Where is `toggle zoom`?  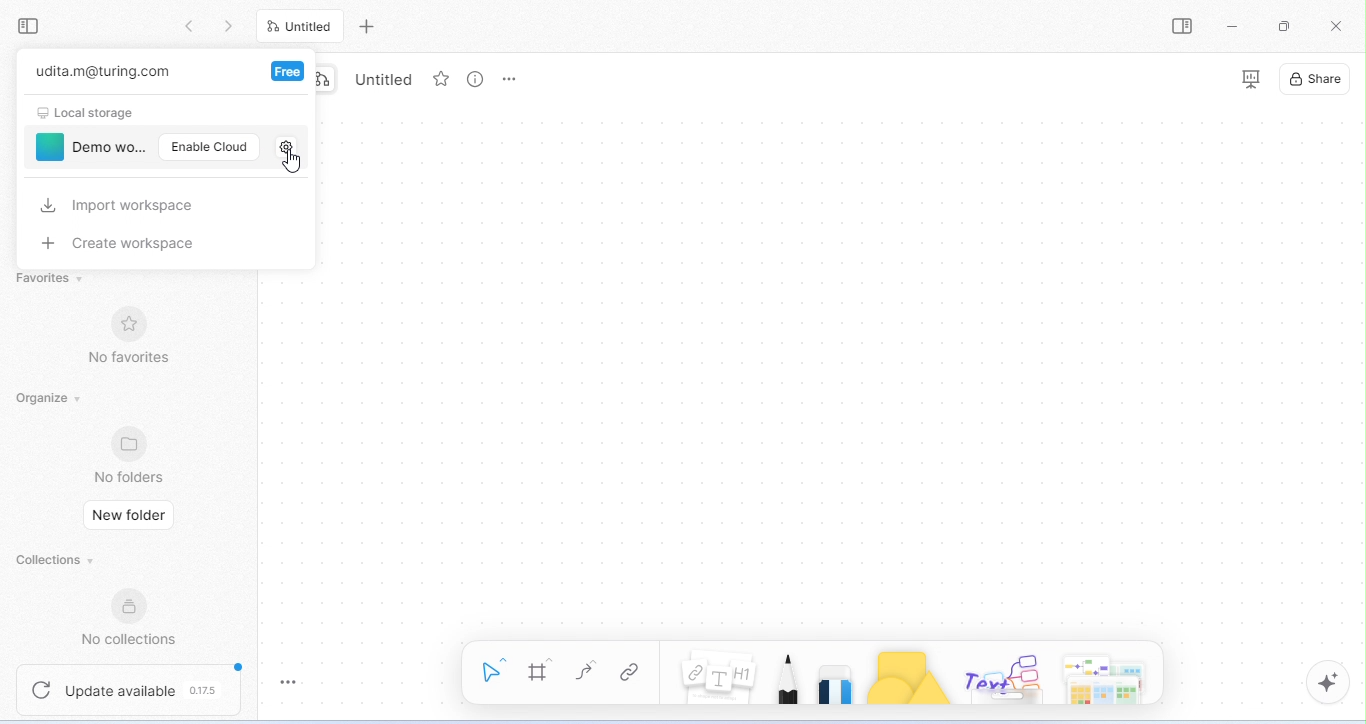
toggle zoom is located at coordinates (289, 678).